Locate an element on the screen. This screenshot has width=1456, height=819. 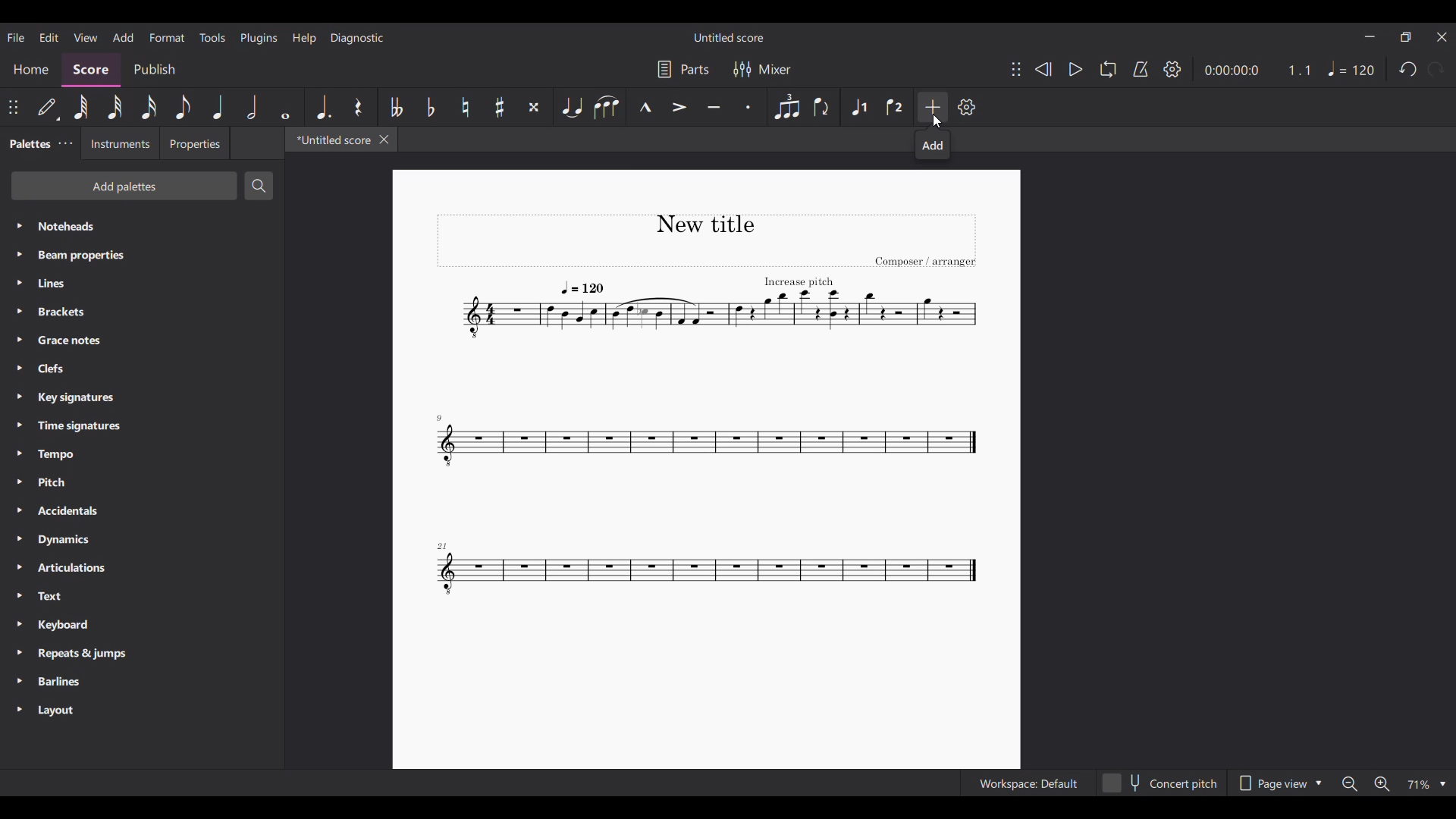
Accidentals is located at coordinates (142, 512).